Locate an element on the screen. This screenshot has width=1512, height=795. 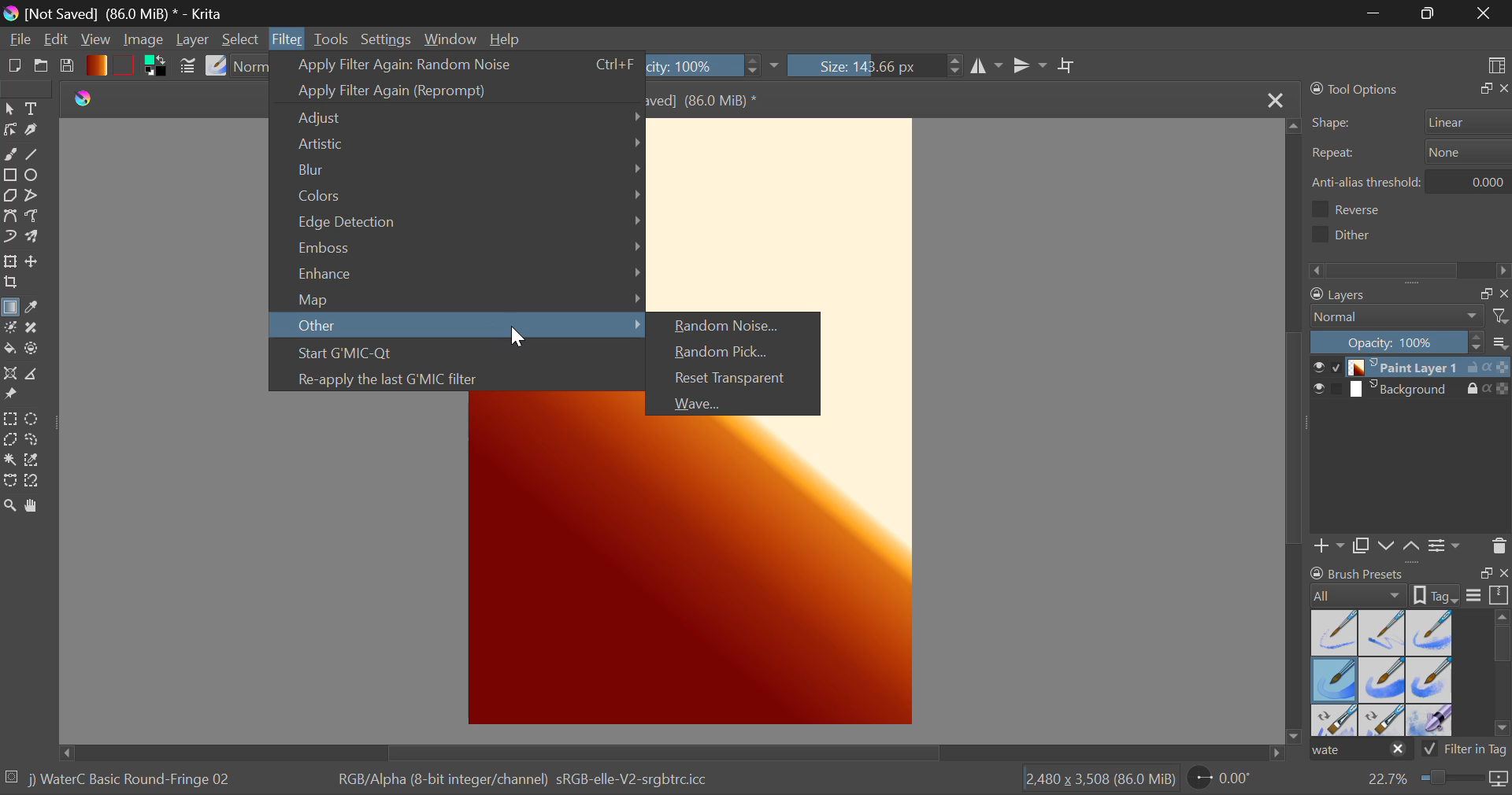
Reference Images is located at coordinates (13, 397).